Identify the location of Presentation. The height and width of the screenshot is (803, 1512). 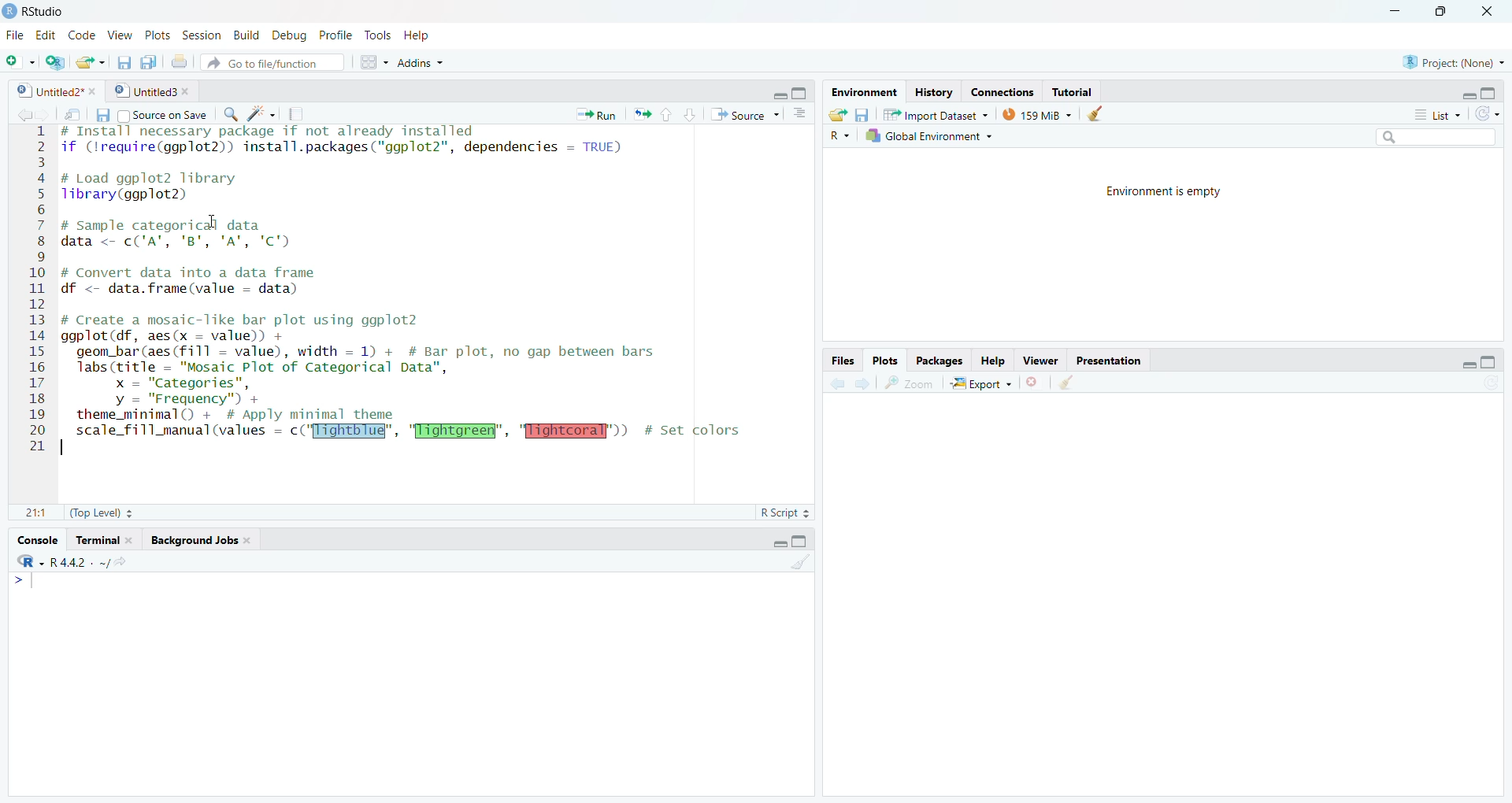
(1107, 361).